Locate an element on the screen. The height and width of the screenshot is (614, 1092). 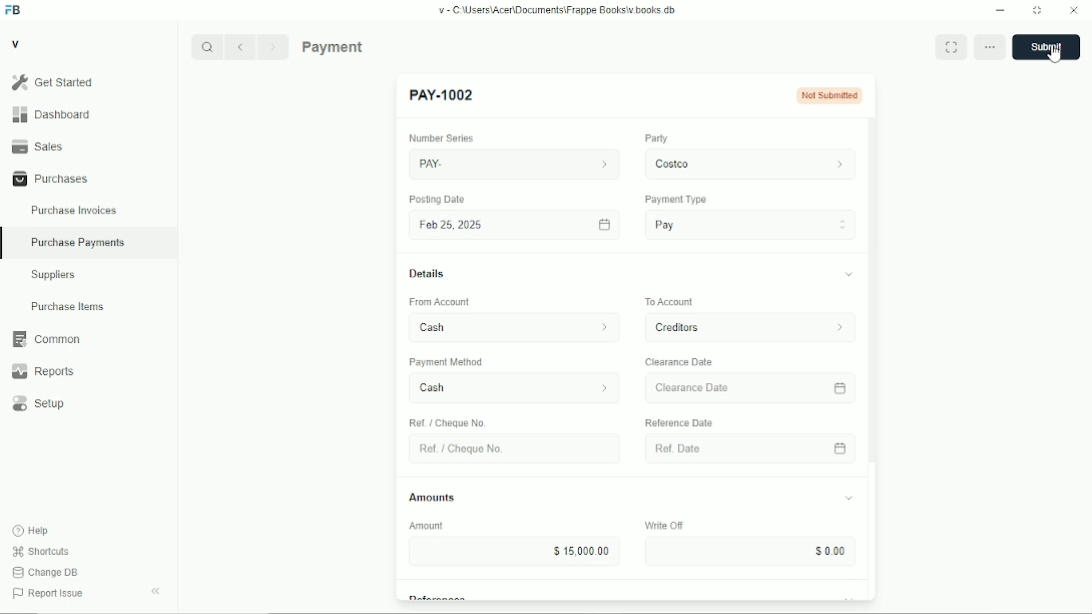
New Entry is located at coordinates (447, 95).